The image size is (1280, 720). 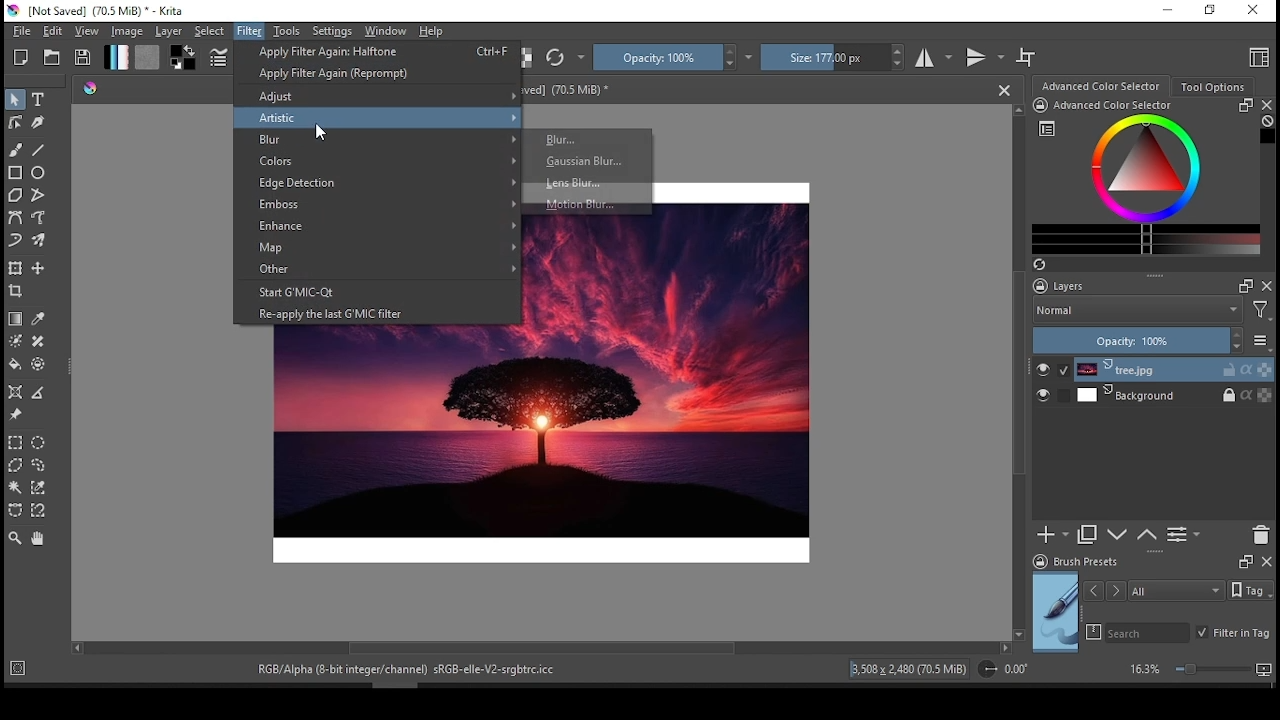 What do you see at coordinates (15, 487) in the screenshot?
I see `contiguous selection tool` at bounding box center [15, 487].